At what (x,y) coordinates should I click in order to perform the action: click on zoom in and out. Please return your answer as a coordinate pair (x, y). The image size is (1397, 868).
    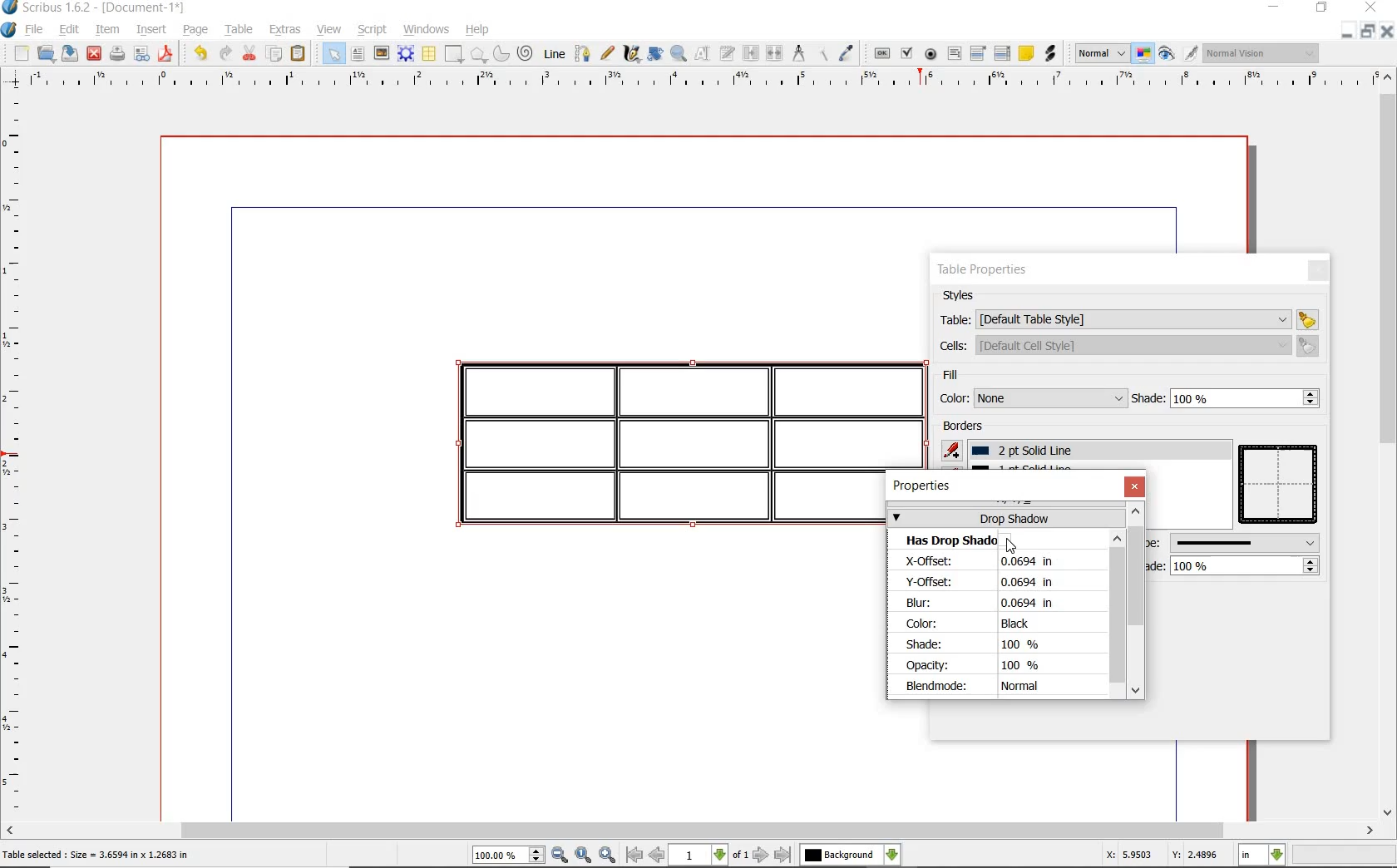
    Looking at the image, I should click on (679, 54).